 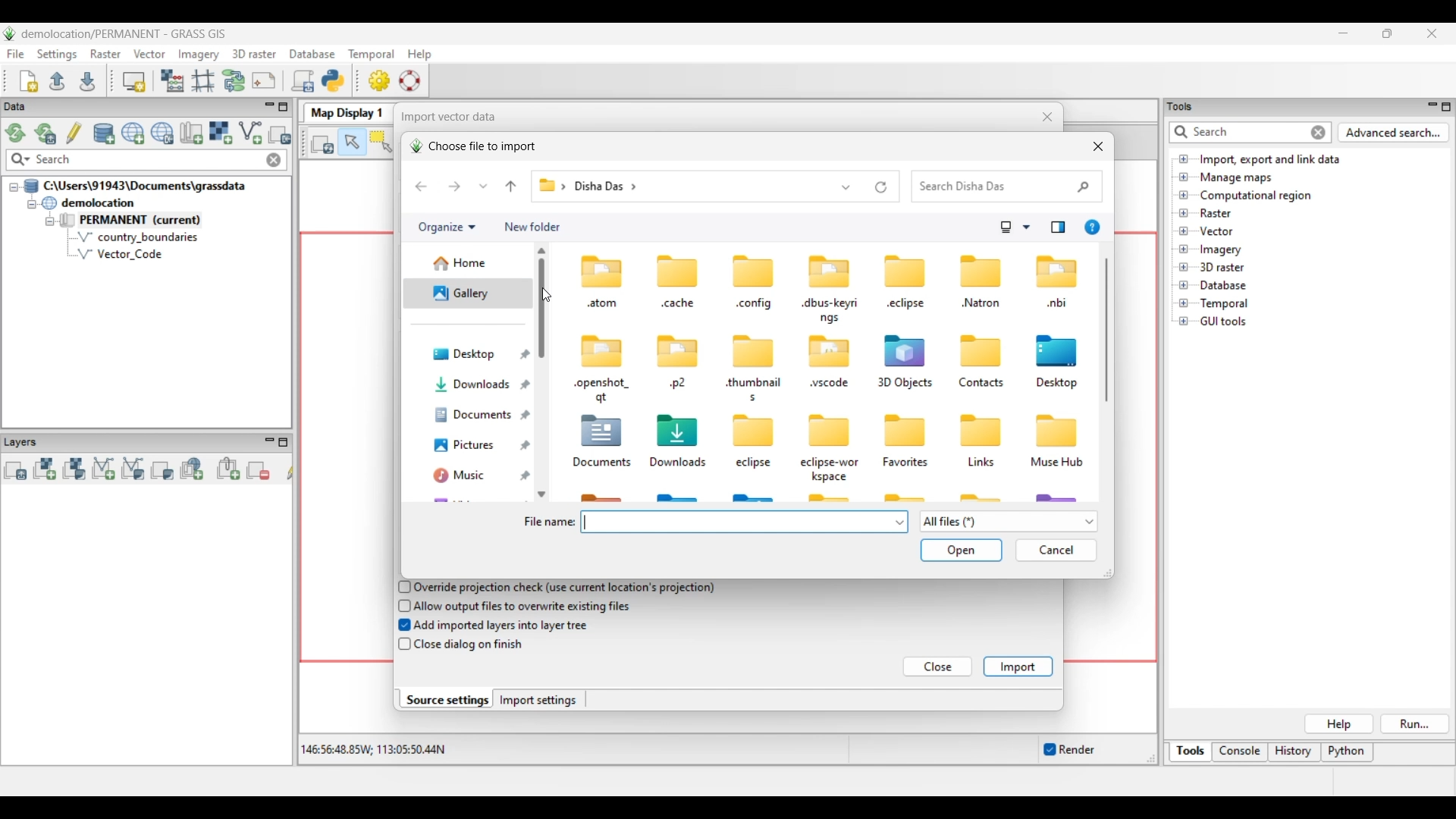 What do you see at coordinates (601, 305) in the screenshot?
I see `atom` at bounding box center [601, 305].